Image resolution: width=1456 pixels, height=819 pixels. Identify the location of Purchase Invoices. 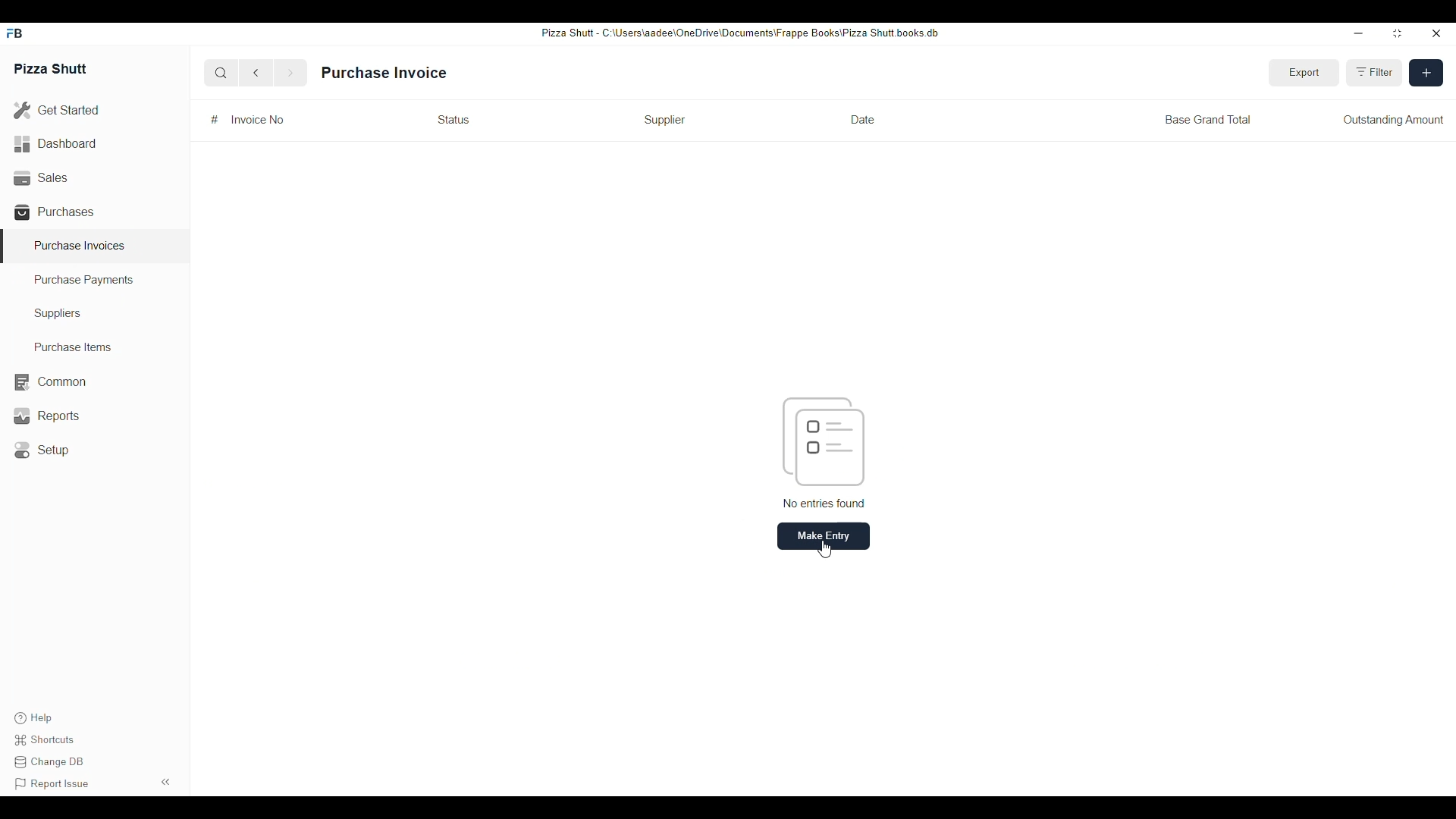
(80, 245).